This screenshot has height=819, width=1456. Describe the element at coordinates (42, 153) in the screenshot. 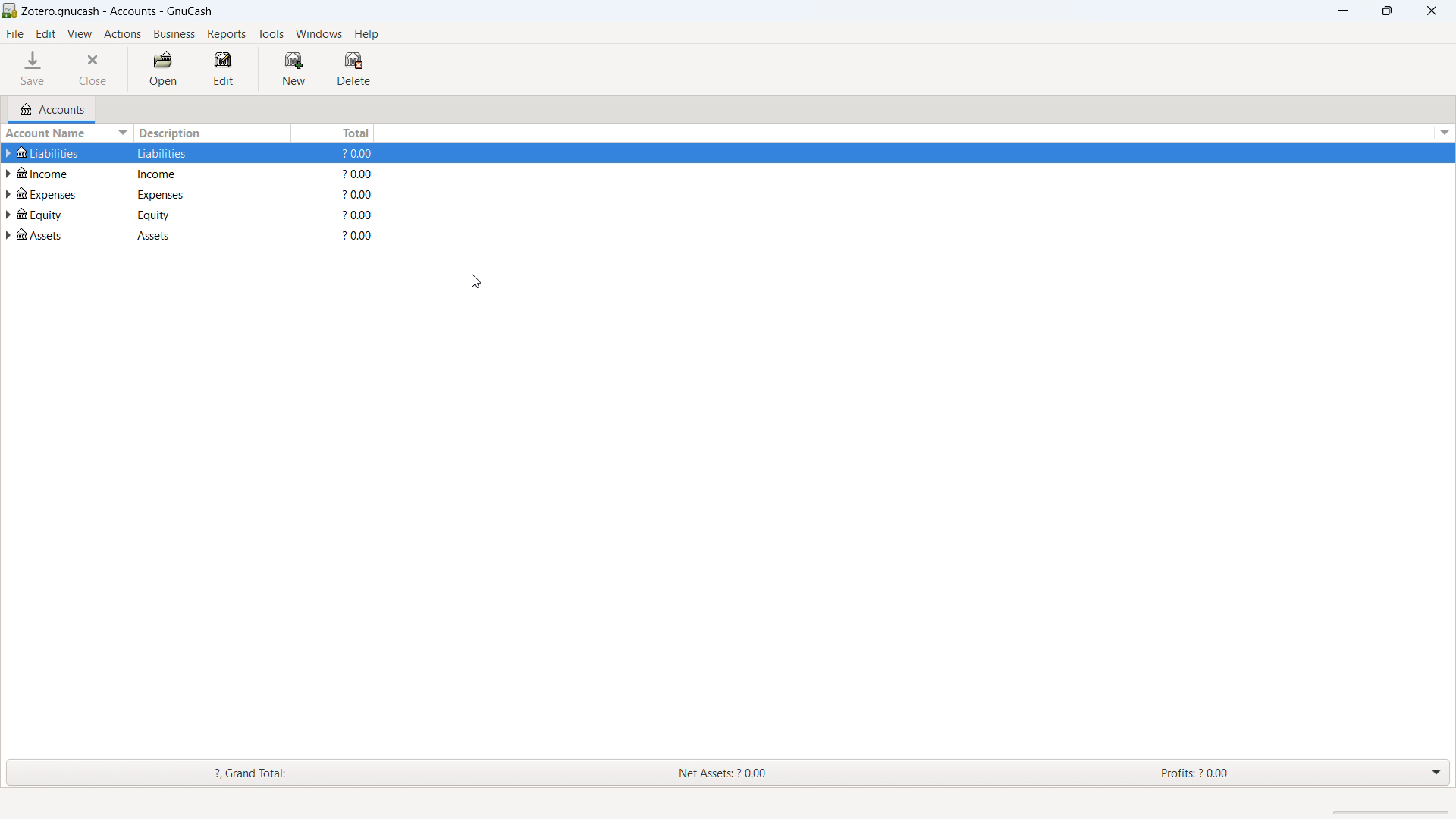

I see `Liabilities` at that location.